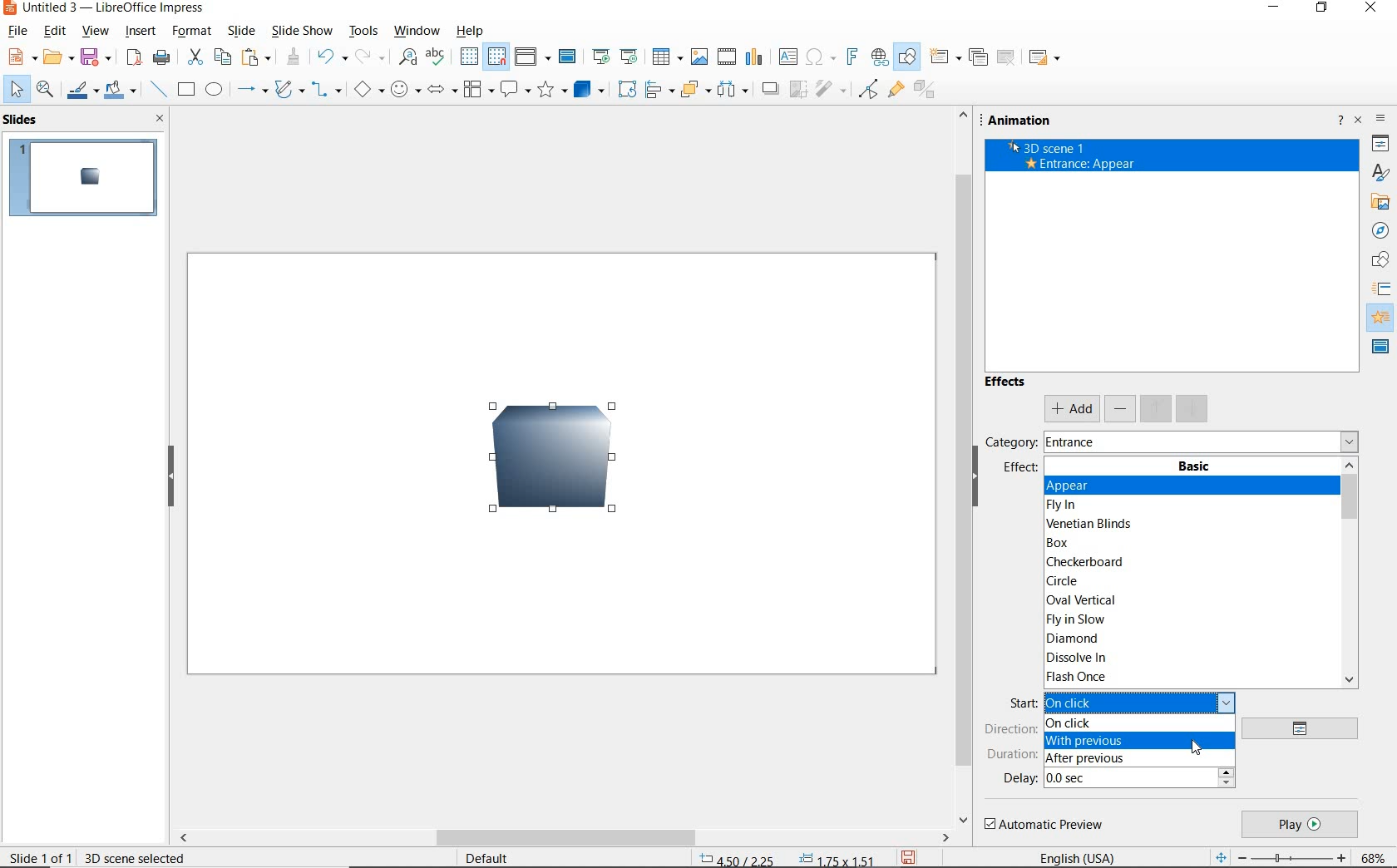 This screenshot has height=868, width=1397. I want to click on FLY IN SLOW, so click(1075, 620).